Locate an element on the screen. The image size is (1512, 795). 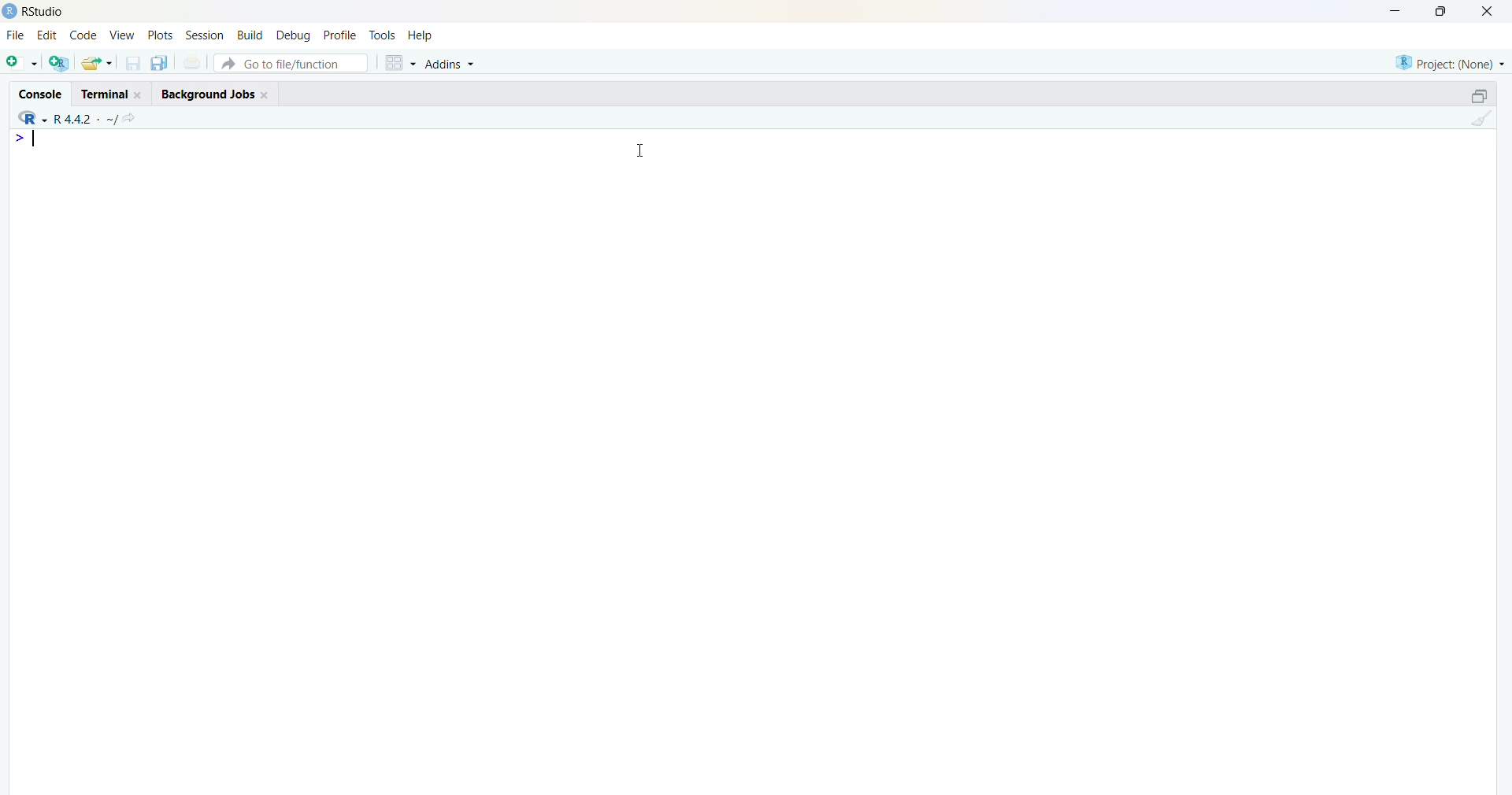
Addins is located at coordinates (453, 65).